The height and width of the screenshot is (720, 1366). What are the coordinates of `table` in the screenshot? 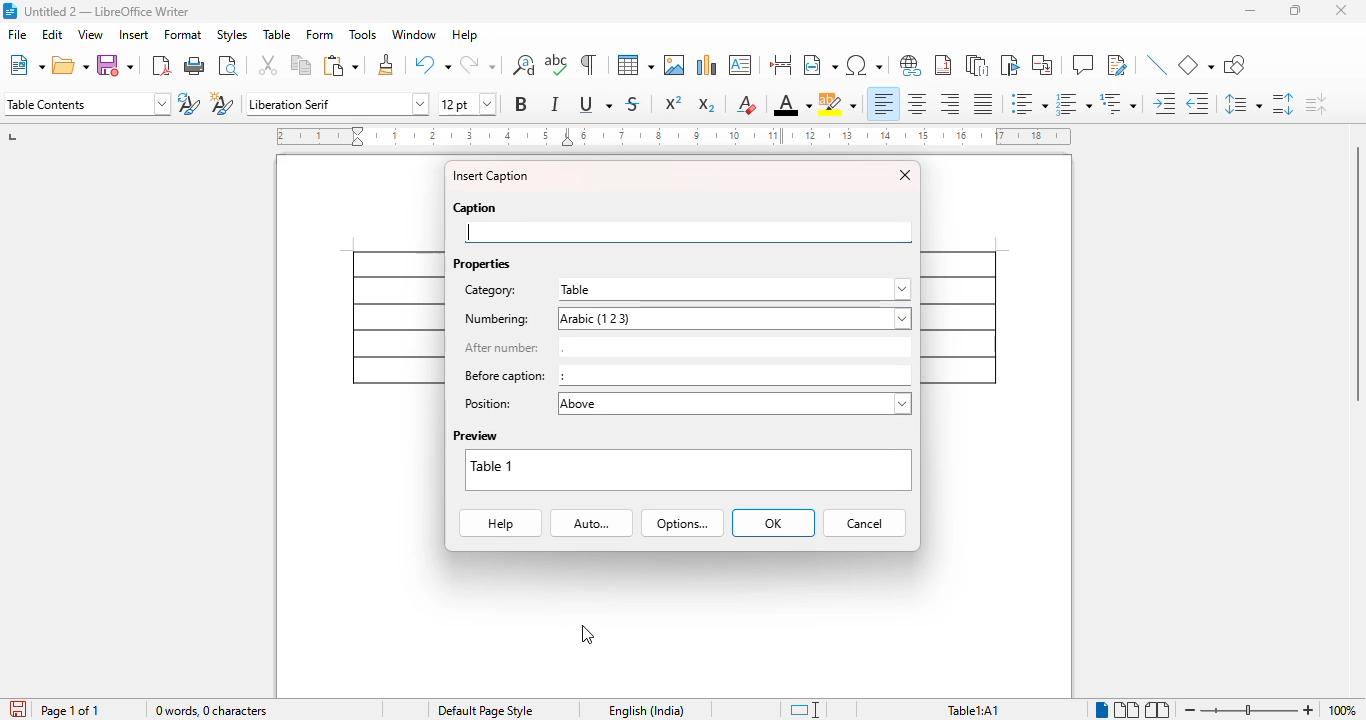 It's located at (277, 34).